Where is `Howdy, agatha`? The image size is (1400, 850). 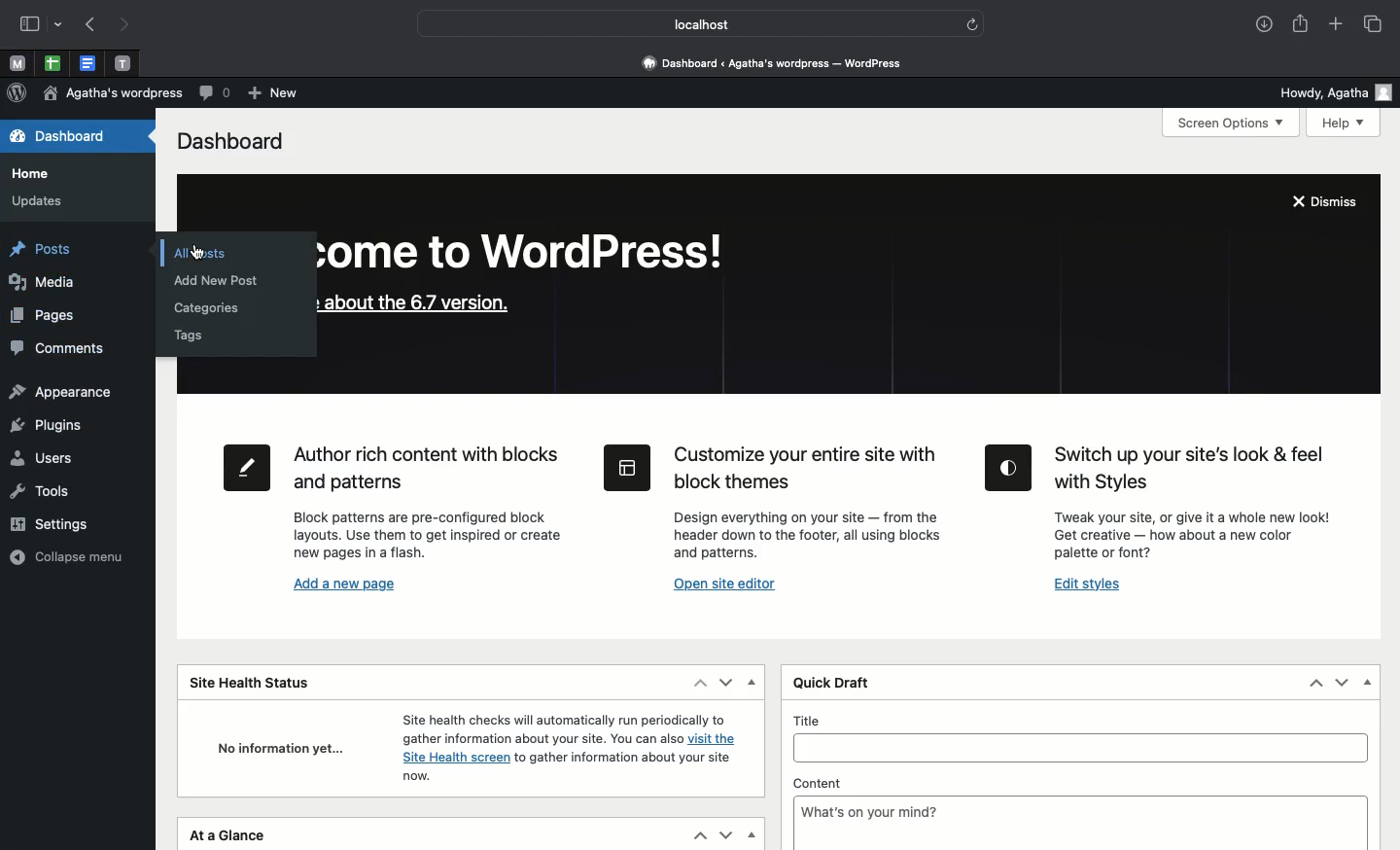
Howdy, agatha is located at coordinates (1334, 91).